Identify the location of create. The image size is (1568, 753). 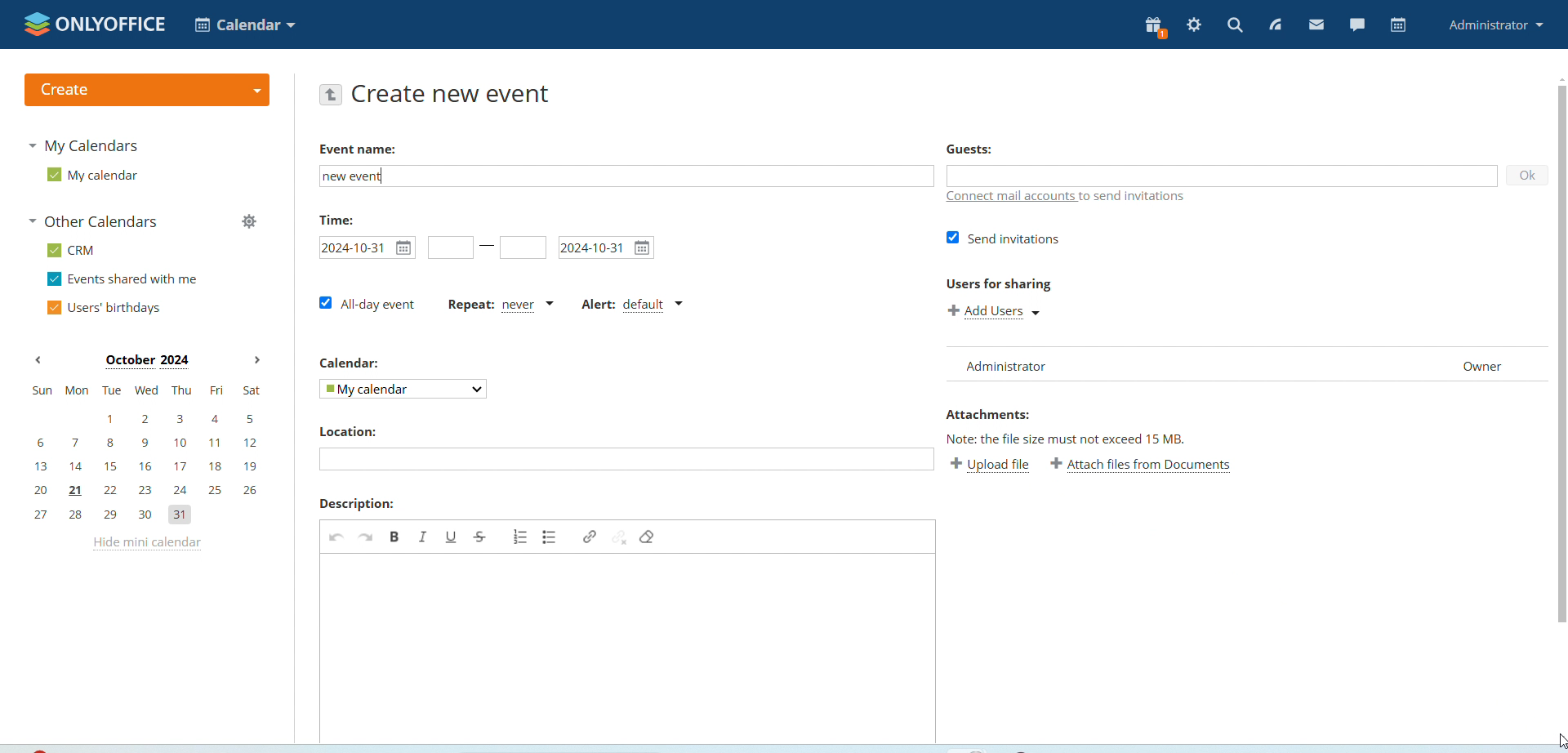
(147, 90).